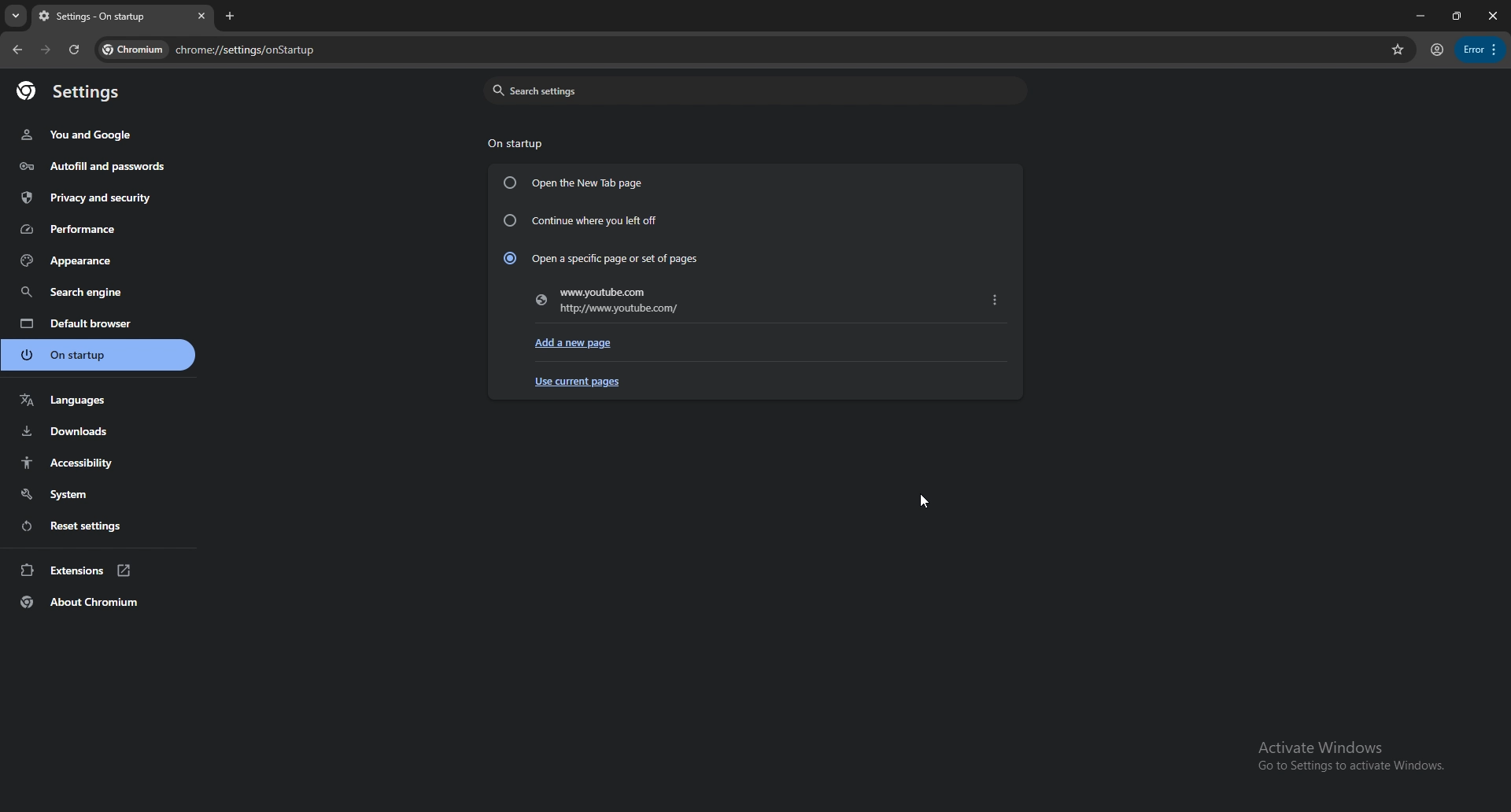 Image resolution: width=1511 pixels, height=812 pixels. Describe the element at coordinates (1491, 16) in the screenshot. I see `close` at that location.